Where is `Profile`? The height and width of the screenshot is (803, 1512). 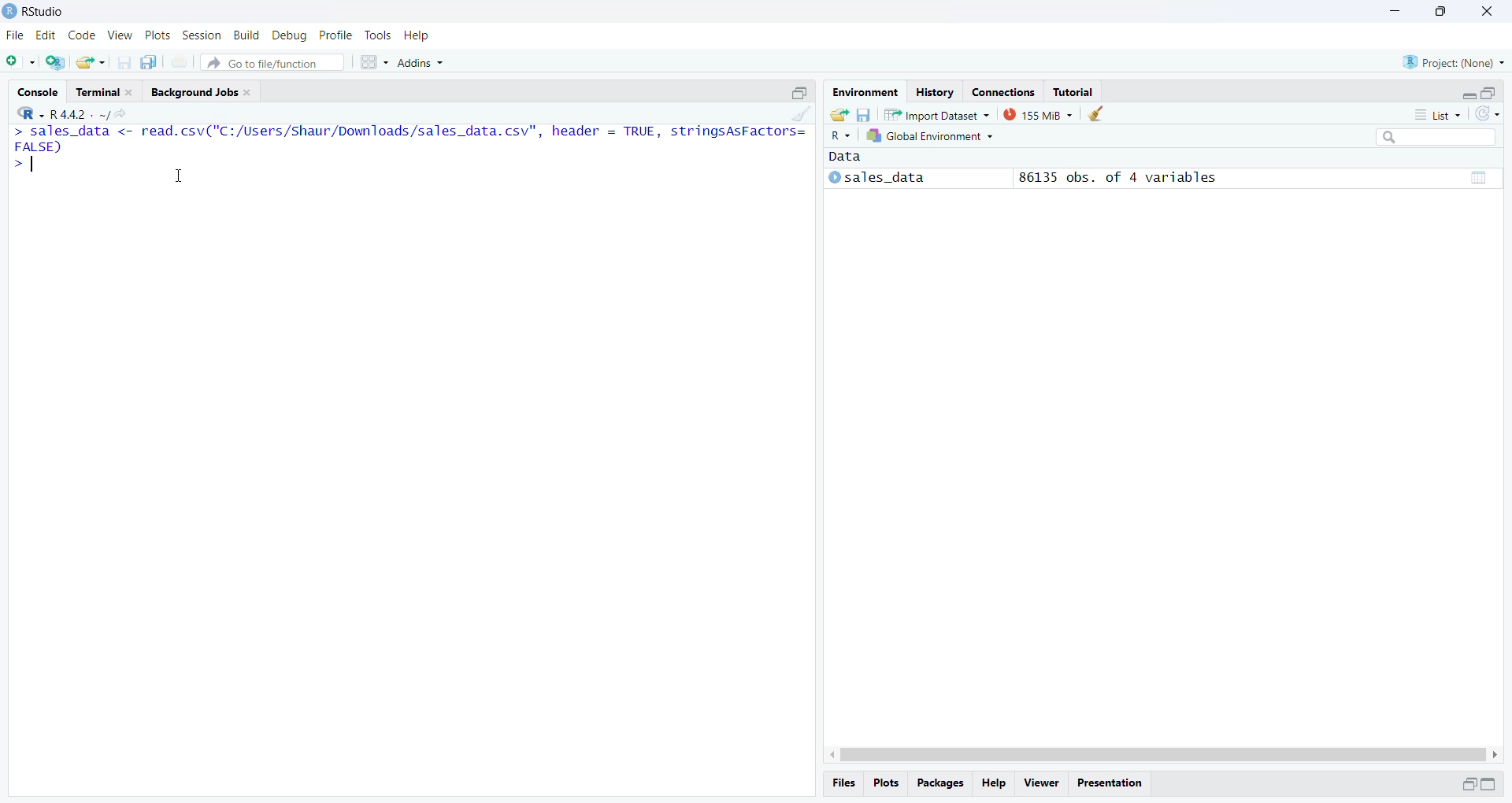 Profile is located at coordinates (337, 37).